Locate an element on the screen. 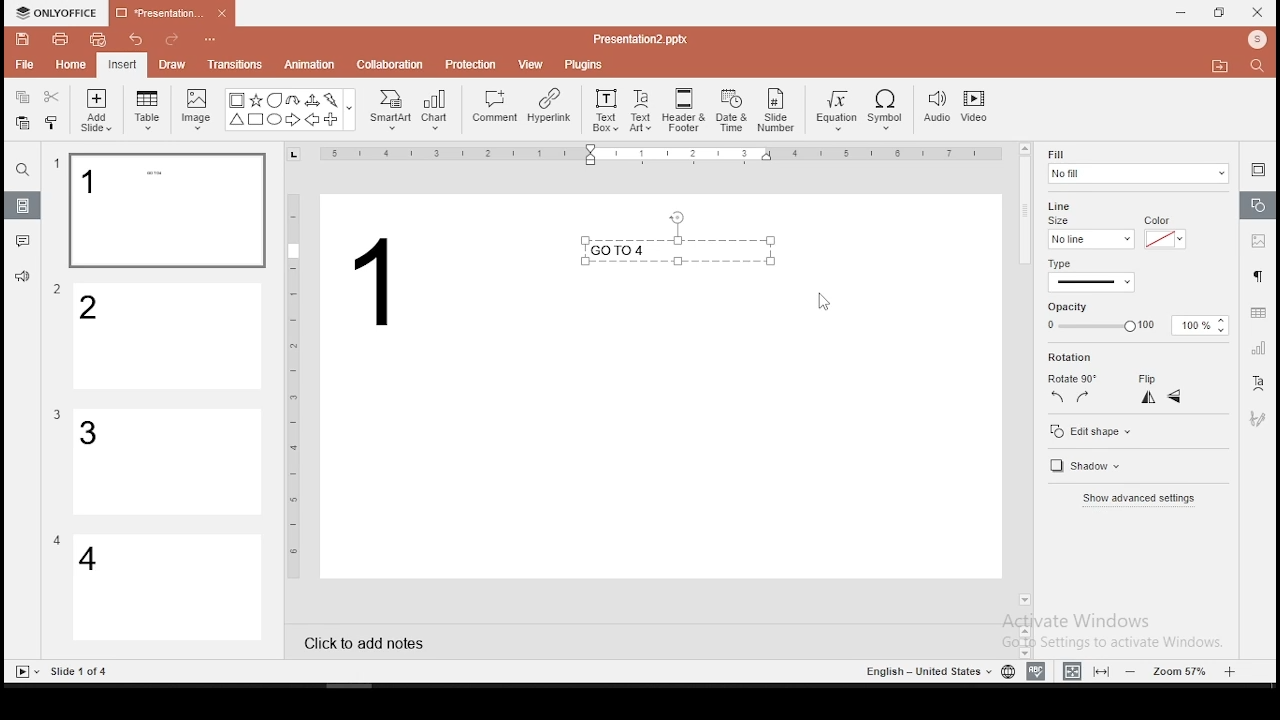 This screenshot has width=1280, height=720. image settings is located at coordinates (1256, 243).